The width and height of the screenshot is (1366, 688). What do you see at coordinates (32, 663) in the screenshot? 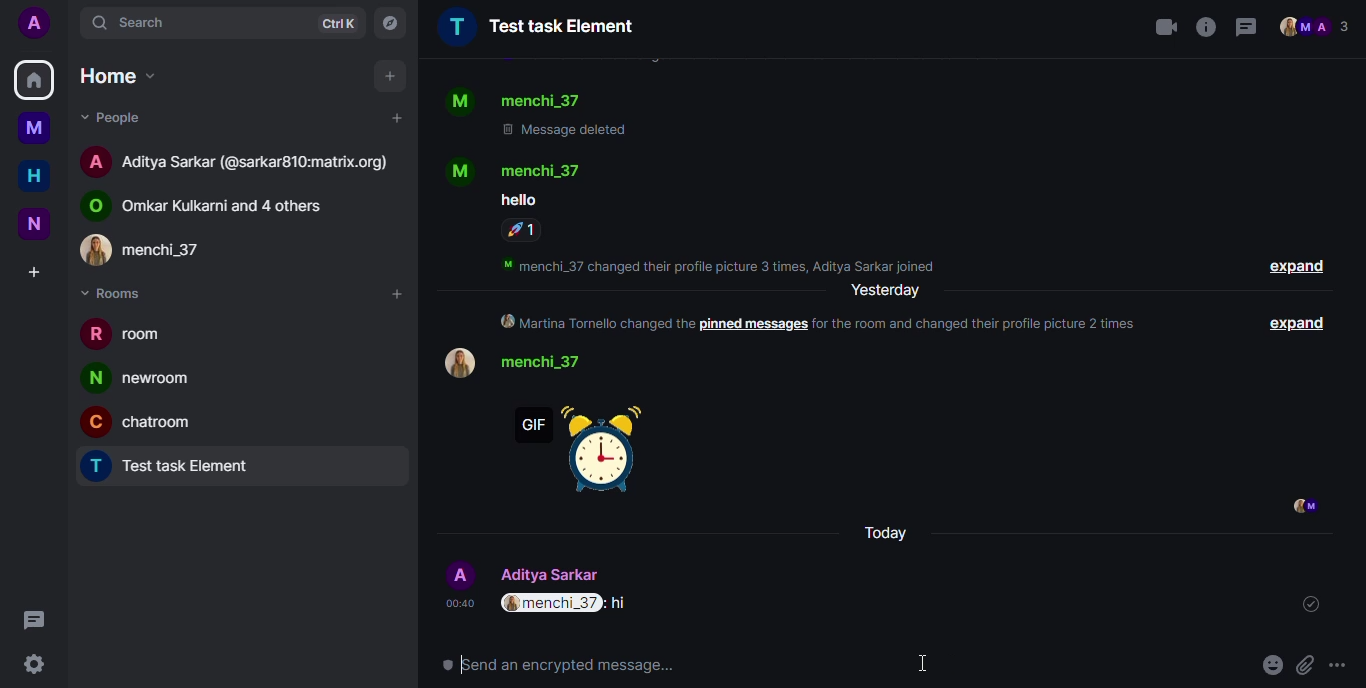
I see `quick settings` at bounding box center [32, 663].